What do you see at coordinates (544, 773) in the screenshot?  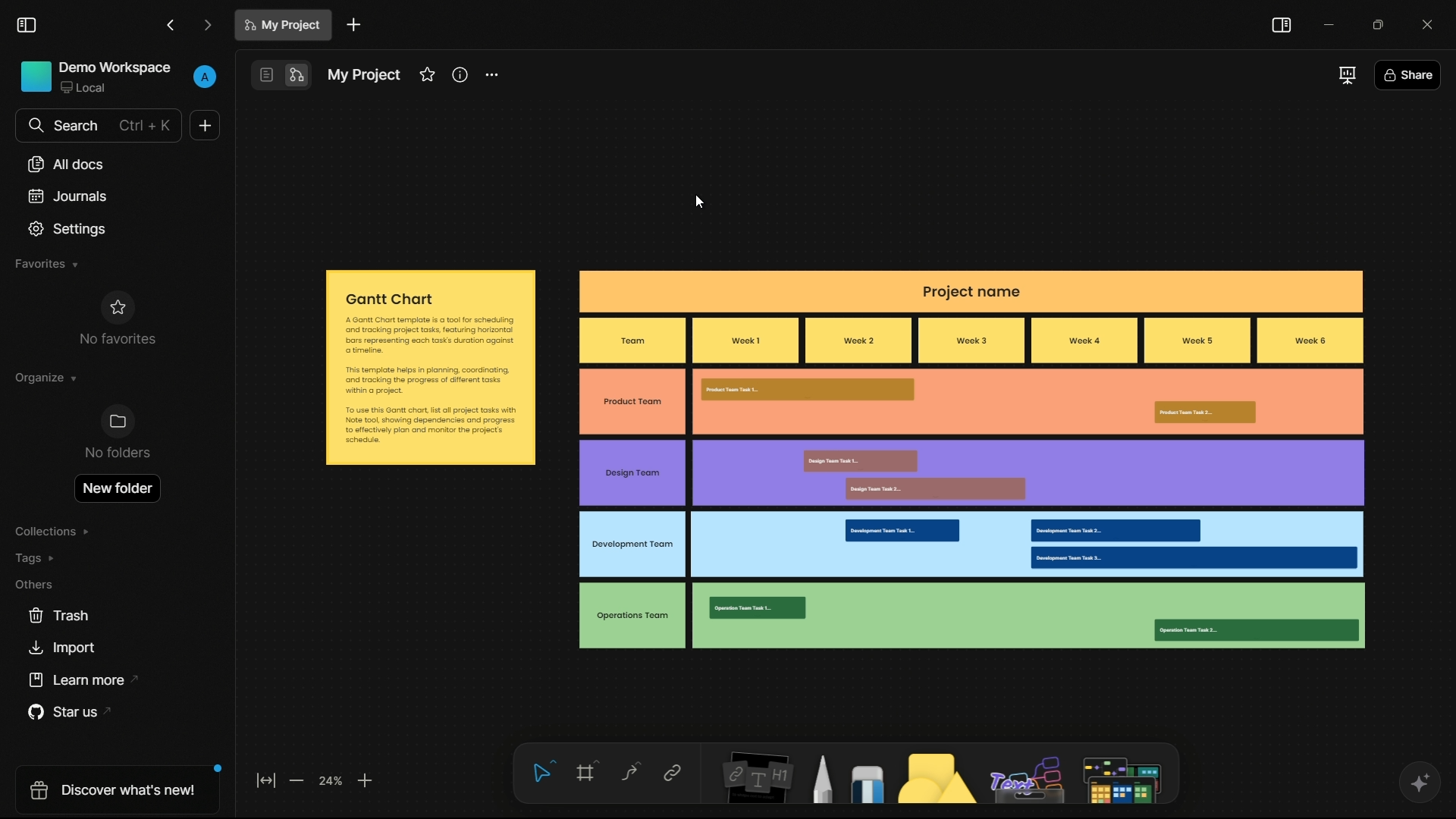 I see `select` at bounding box center [544, 773].